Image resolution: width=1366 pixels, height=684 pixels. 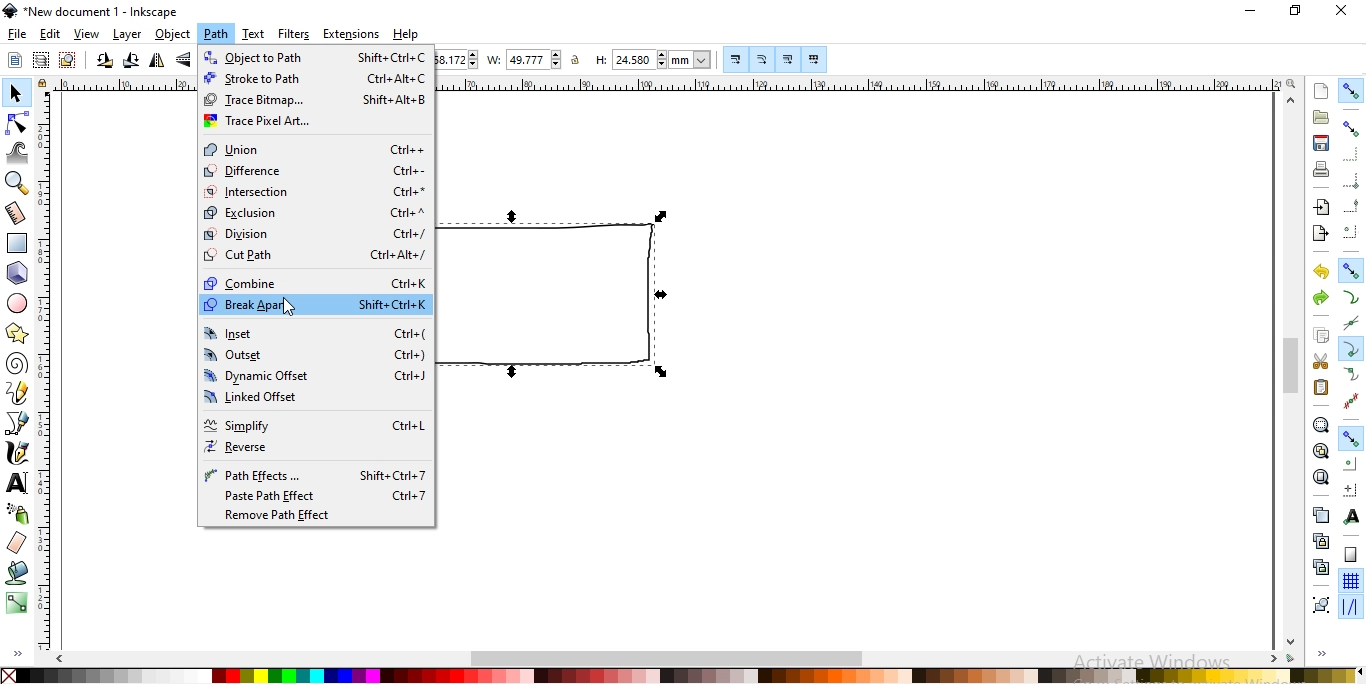 I want to click on create and edit text objects, so click(x=14, y=481).